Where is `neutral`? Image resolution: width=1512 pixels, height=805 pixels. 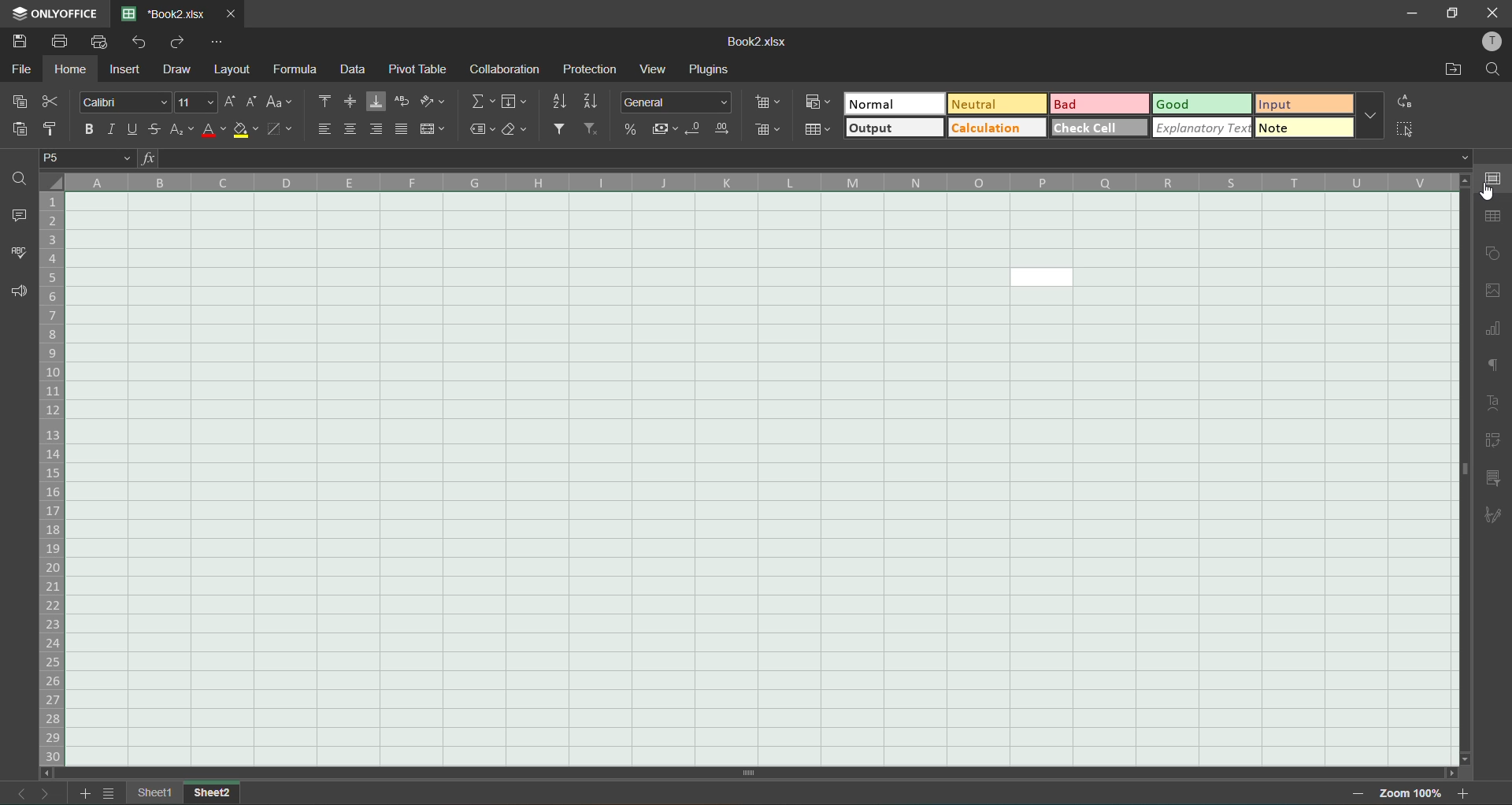
neutral is located at coordinates (1000, 105).